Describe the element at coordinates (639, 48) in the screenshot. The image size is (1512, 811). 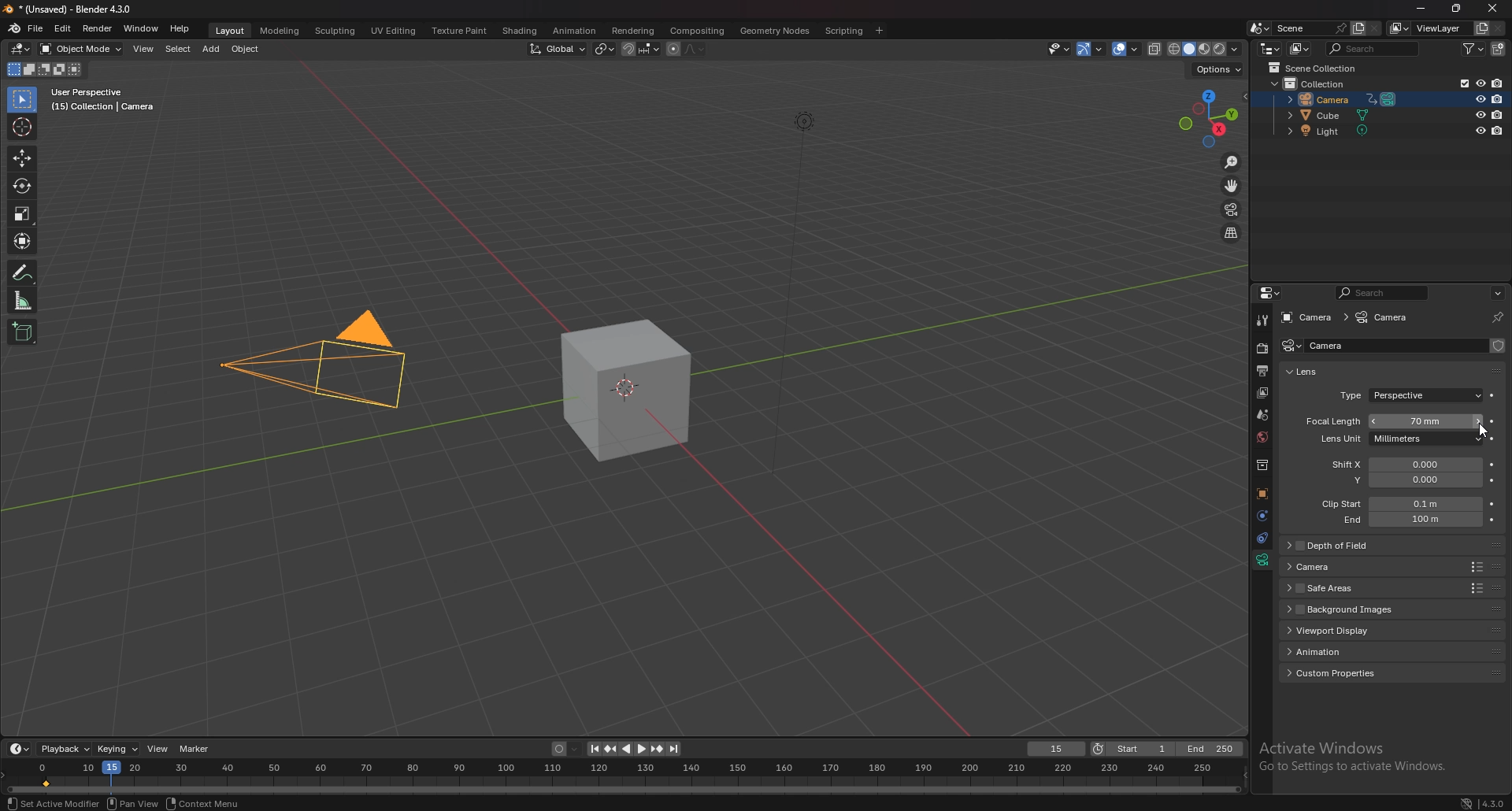
I see `snapping` at that location.